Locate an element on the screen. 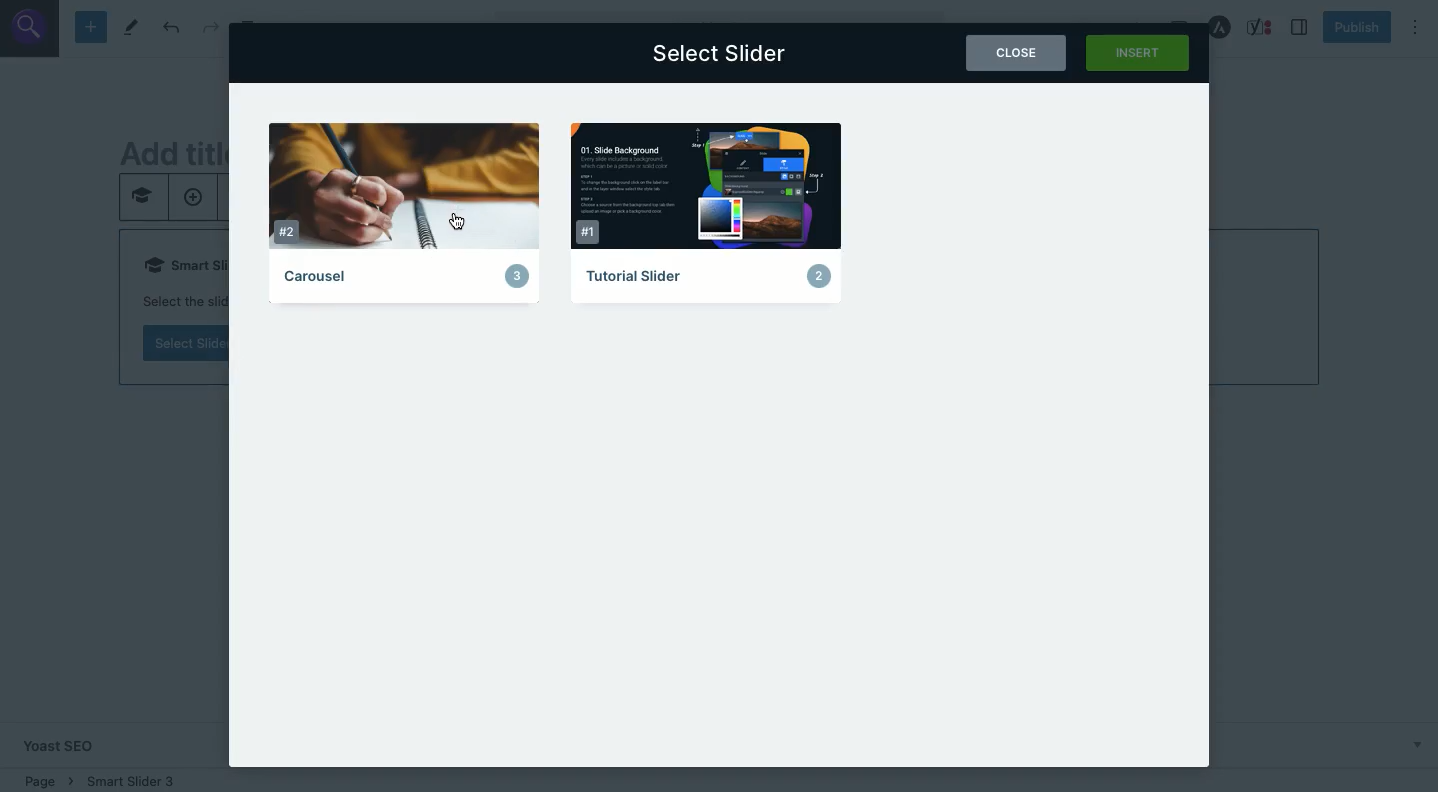  Yoast is located at coordinates (1262, 27).